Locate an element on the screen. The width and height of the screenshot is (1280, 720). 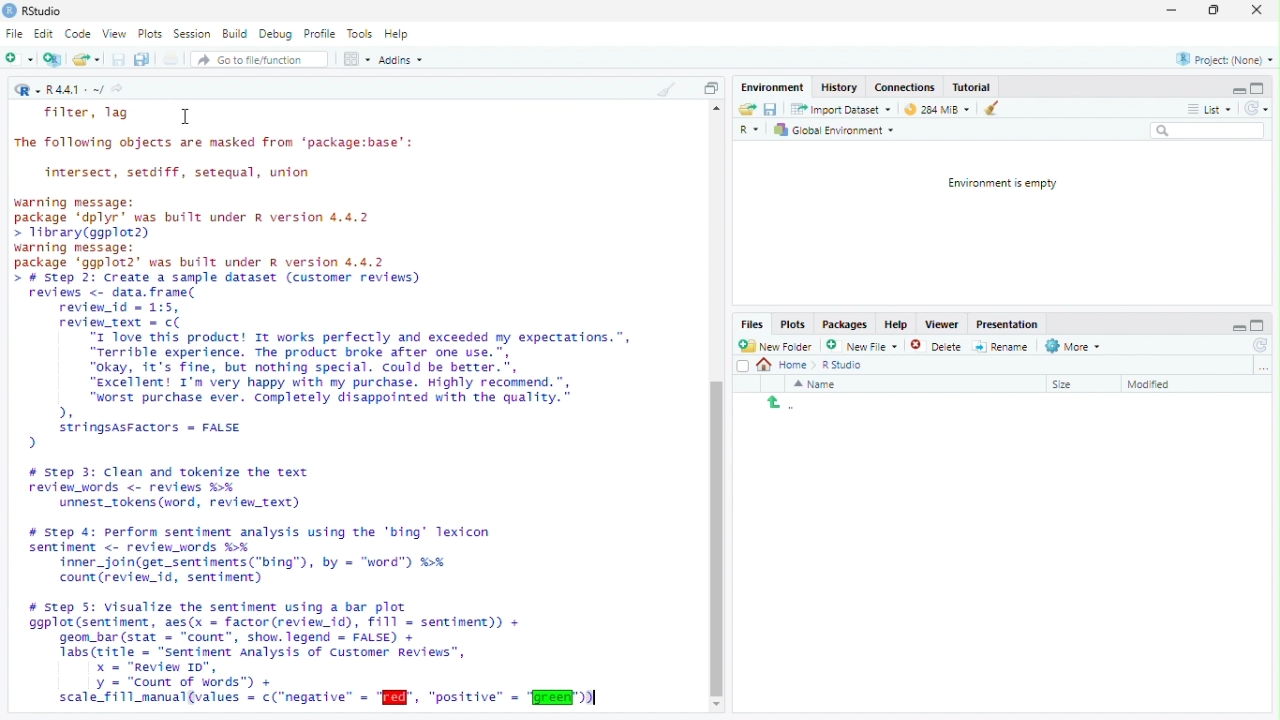
284 MiB is located at coordinates (934, 107).